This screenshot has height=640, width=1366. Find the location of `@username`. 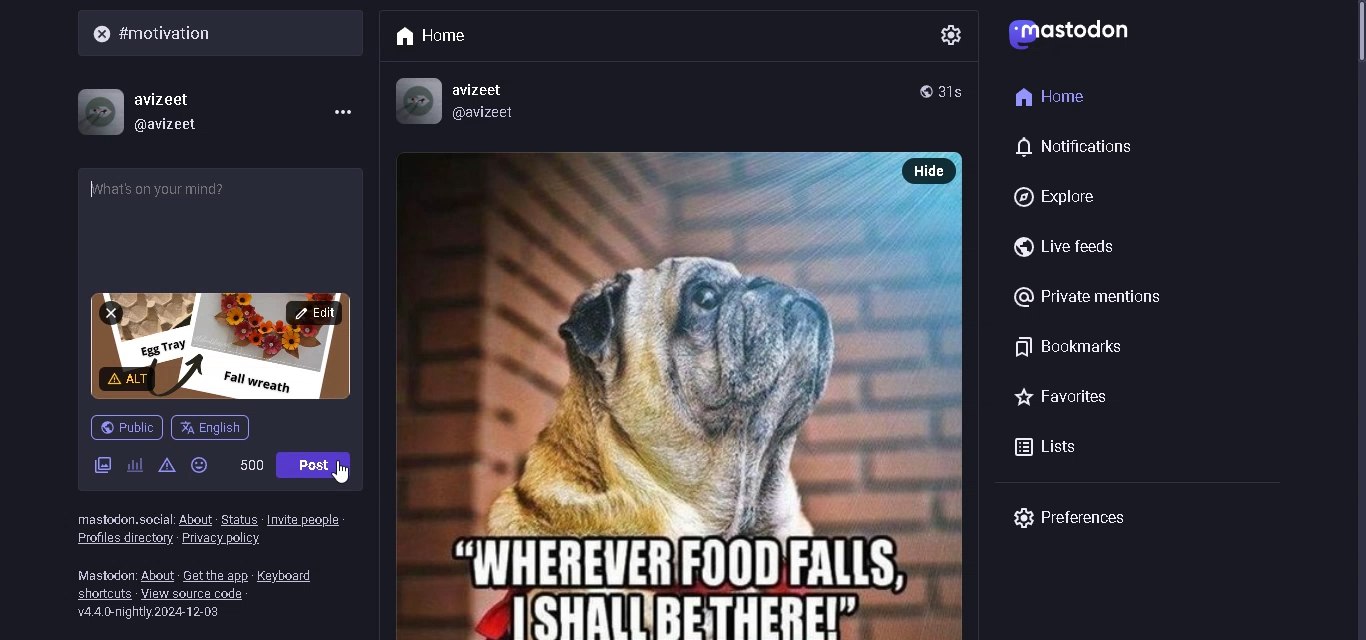

@username is located at coordinates (175, 126).